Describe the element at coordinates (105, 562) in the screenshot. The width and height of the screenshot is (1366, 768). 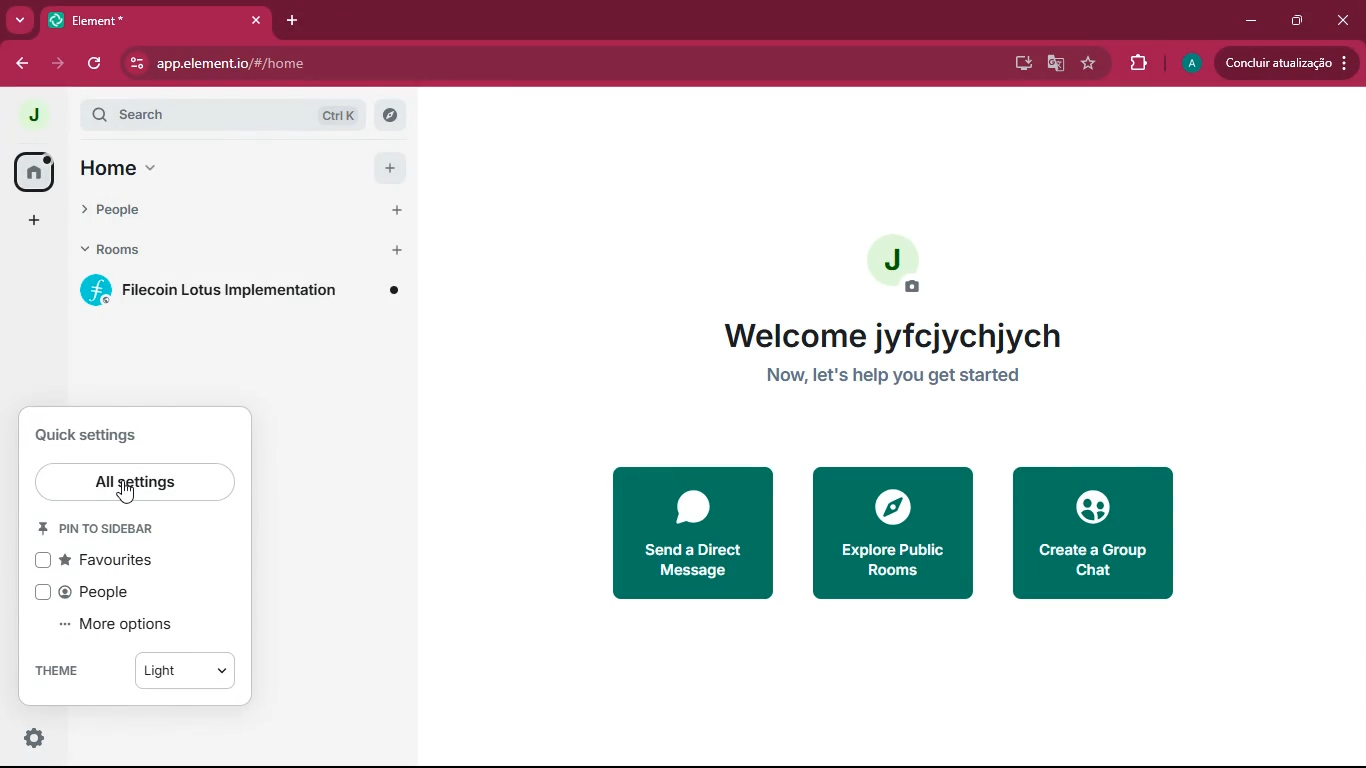
I see `favourites` at that location.